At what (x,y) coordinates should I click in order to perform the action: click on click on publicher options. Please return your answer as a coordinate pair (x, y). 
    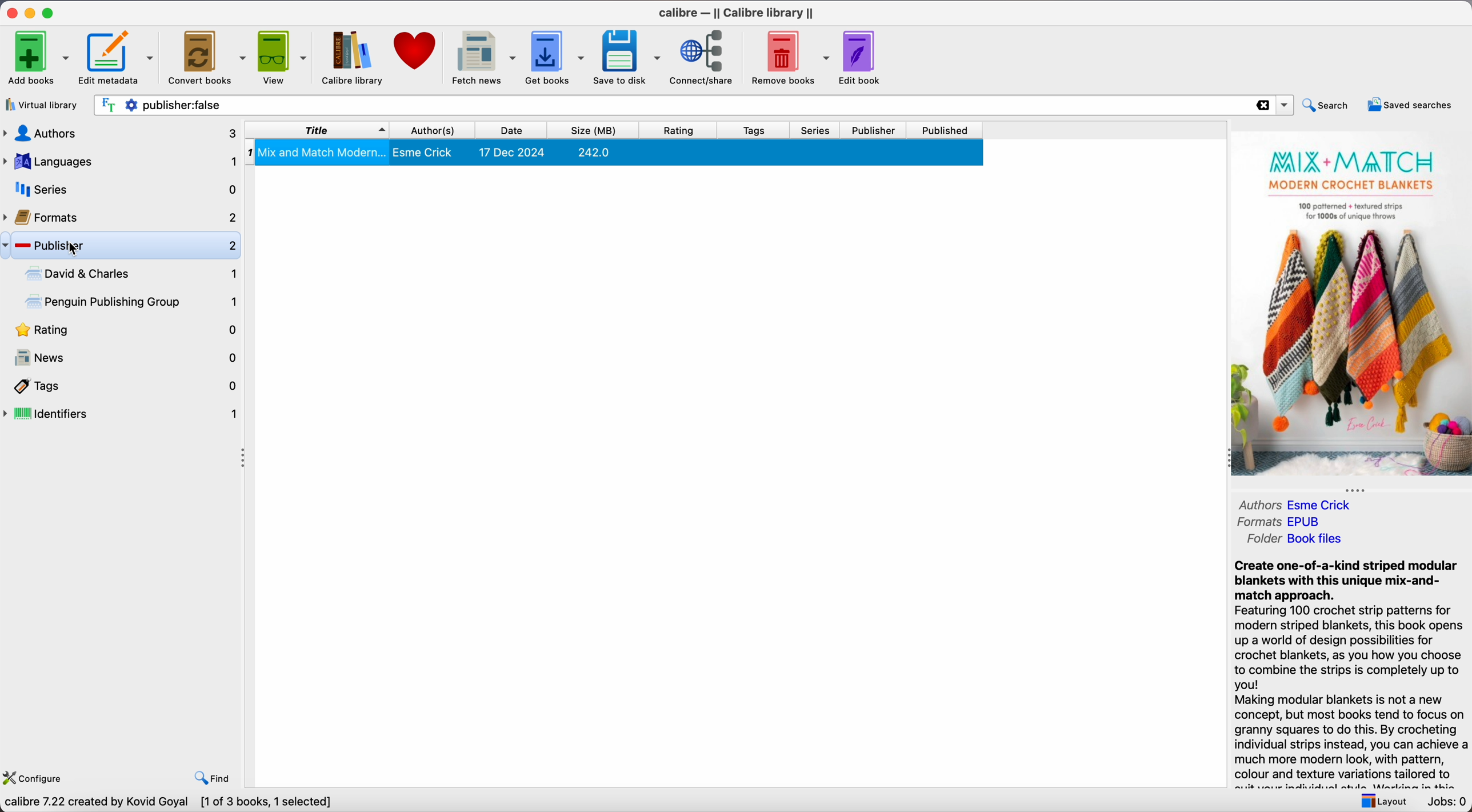
    Looking at the image, I should click on (131, 246).